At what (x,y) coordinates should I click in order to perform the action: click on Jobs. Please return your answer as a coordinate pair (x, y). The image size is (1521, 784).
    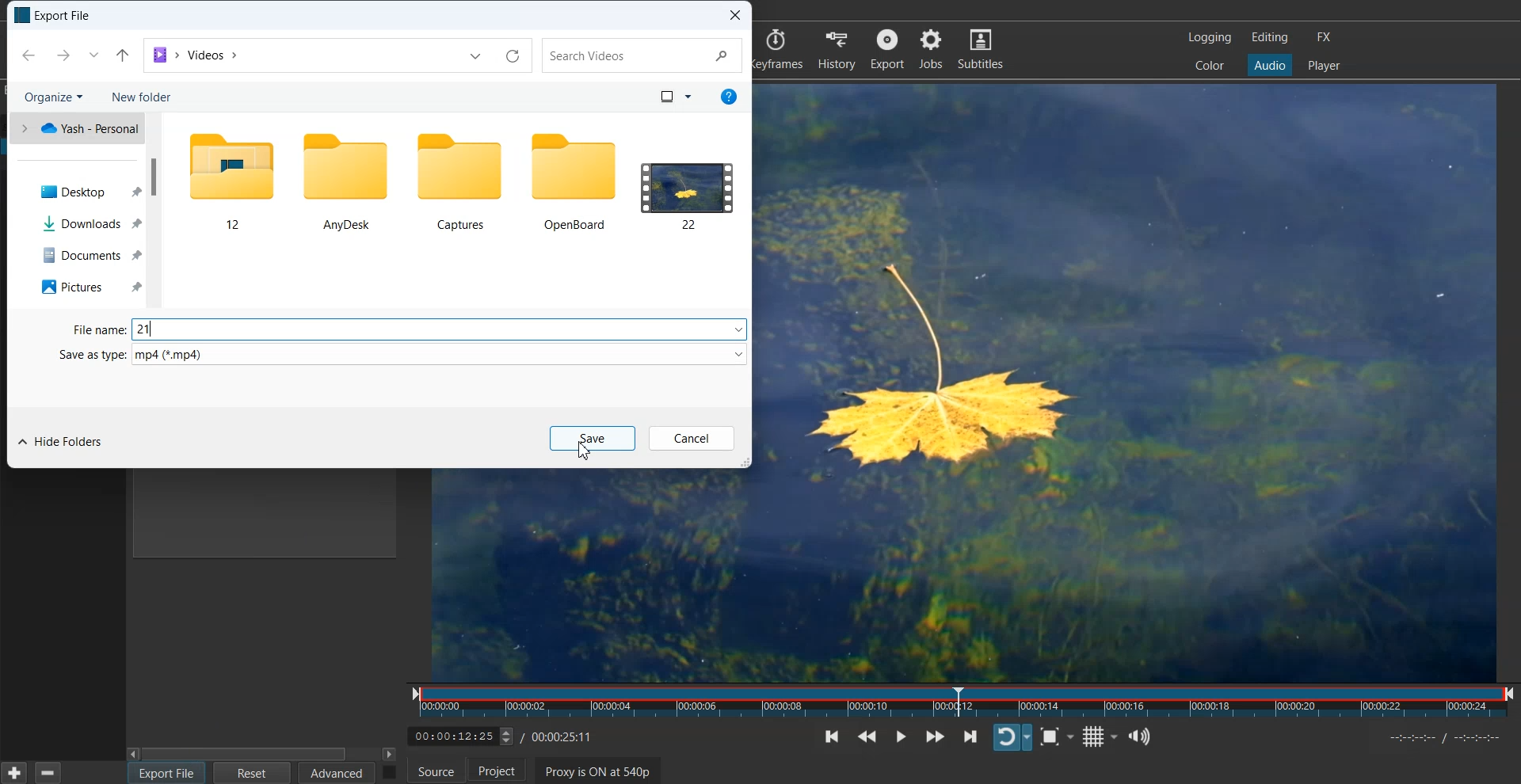
    Looking at the image, I should click on (932, 49).